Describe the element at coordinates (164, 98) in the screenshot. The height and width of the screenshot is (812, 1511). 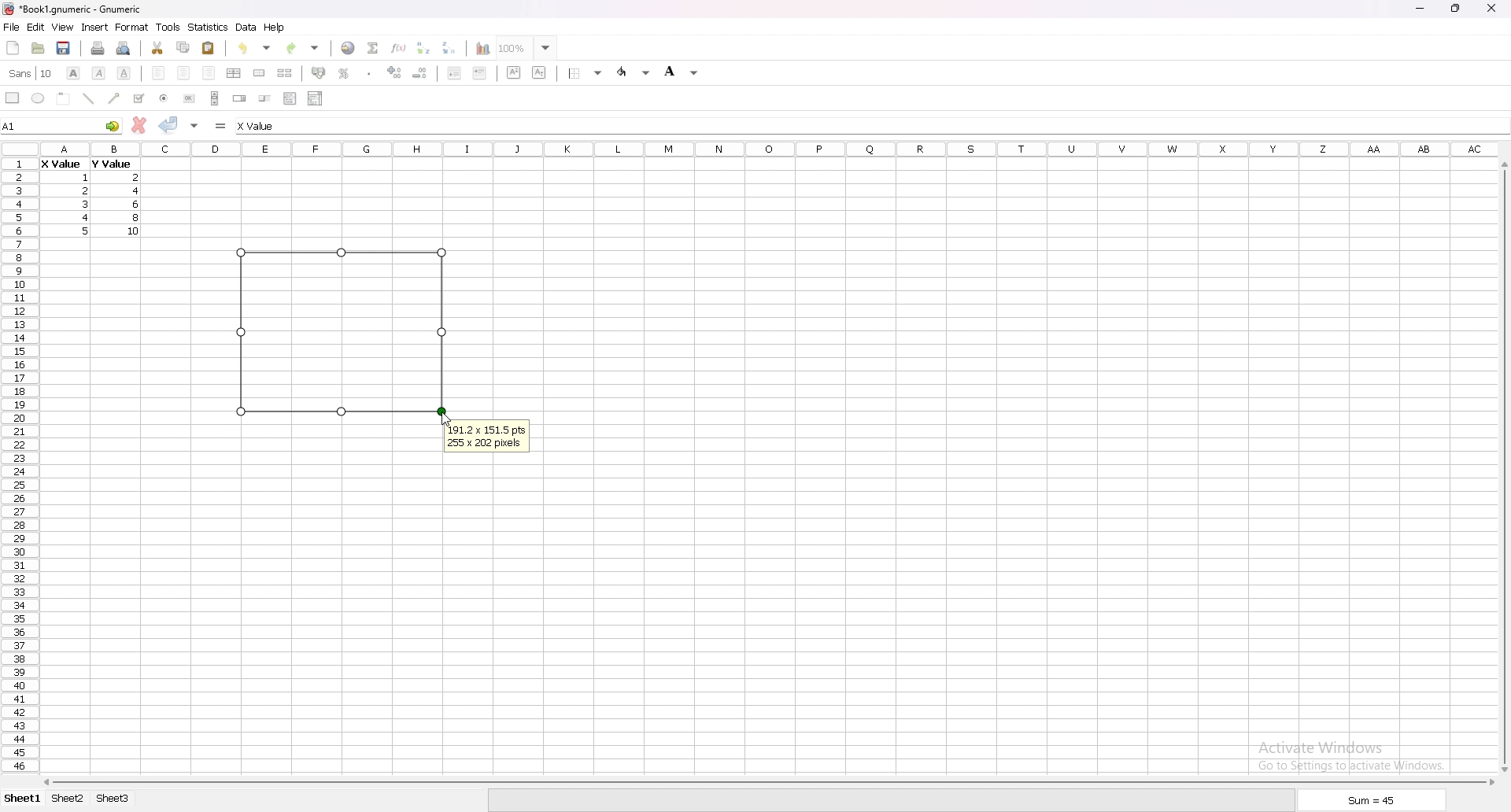
I see `radio button` at that location.